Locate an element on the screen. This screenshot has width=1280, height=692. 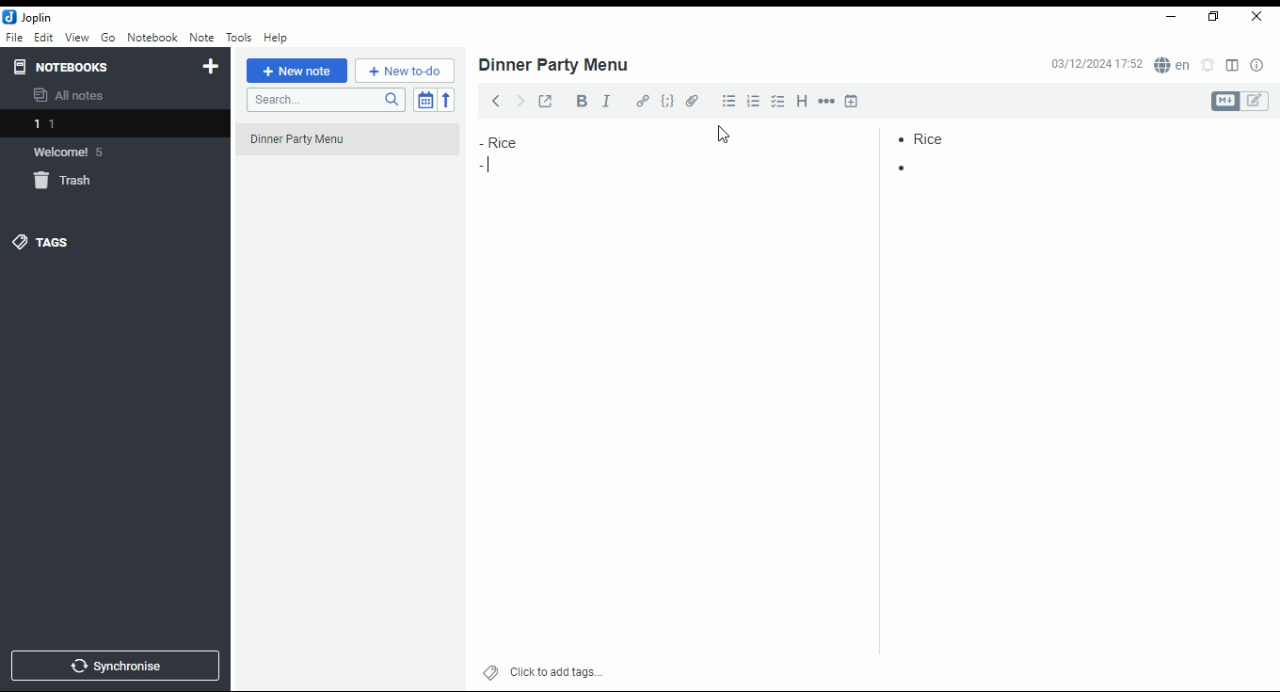
code is located at coordinates (668, 103).